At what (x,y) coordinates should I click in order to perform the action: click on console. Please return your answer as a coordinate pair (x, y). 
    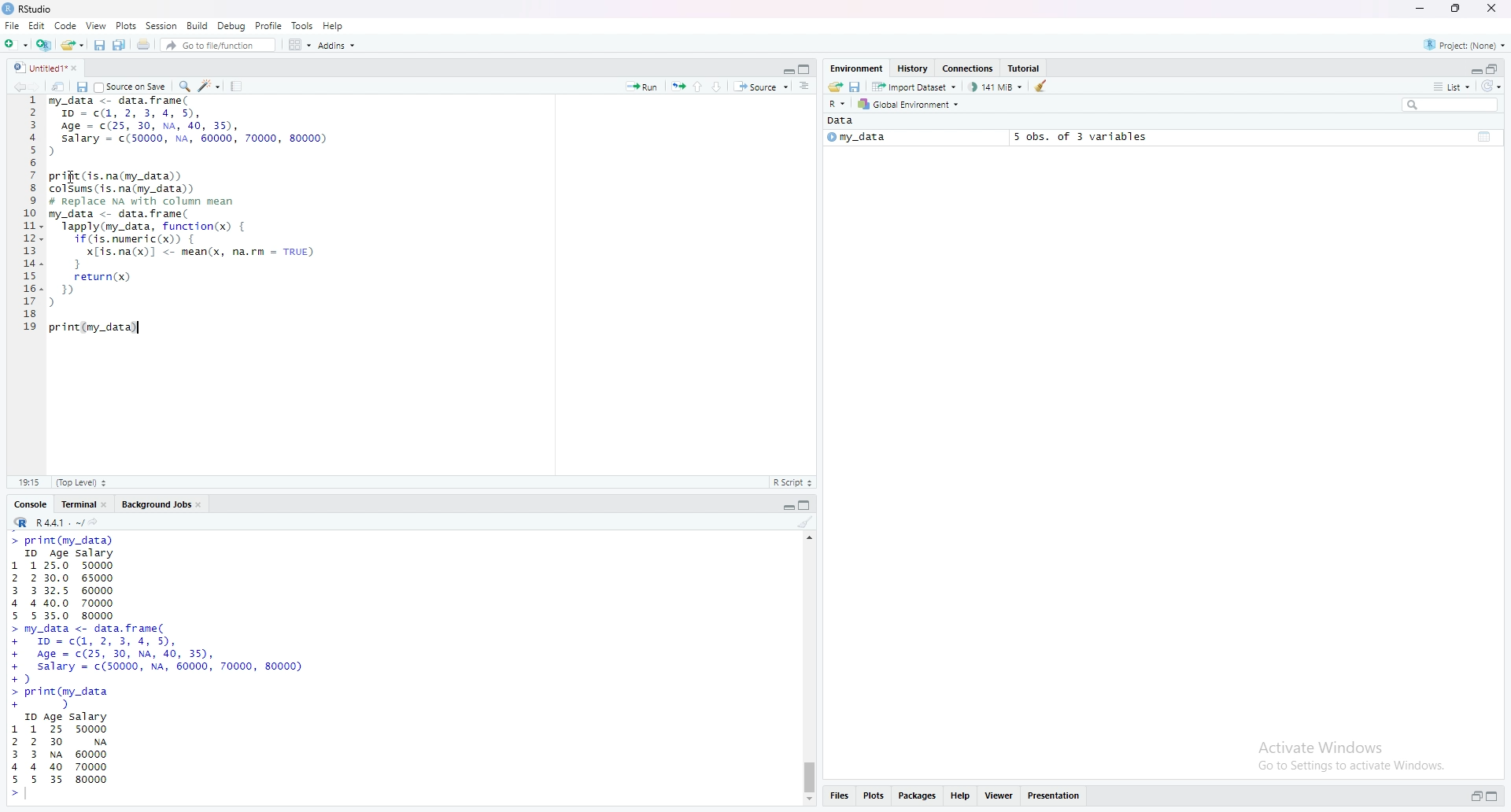
    Looking at the image, I should click on (32, 505).